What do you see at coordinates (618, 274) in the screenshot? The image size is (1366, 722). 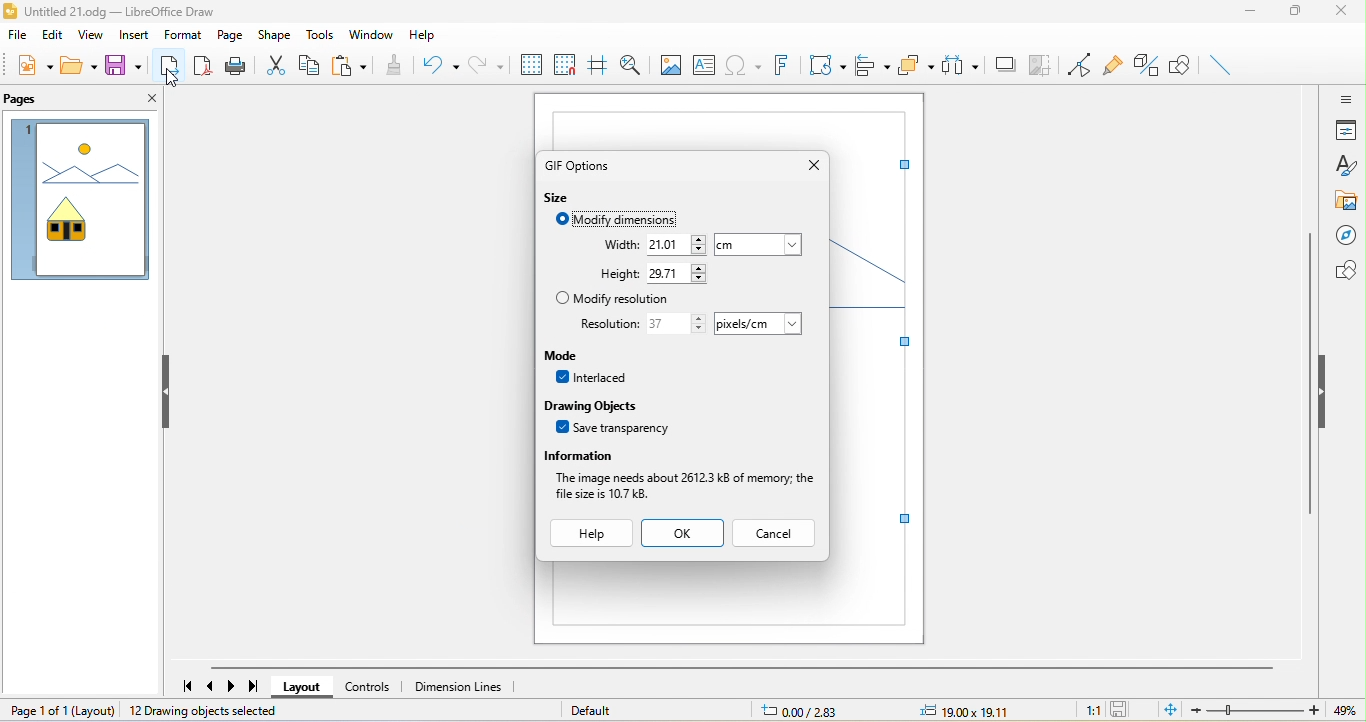 I see `height` at bounding box center [618, 274].